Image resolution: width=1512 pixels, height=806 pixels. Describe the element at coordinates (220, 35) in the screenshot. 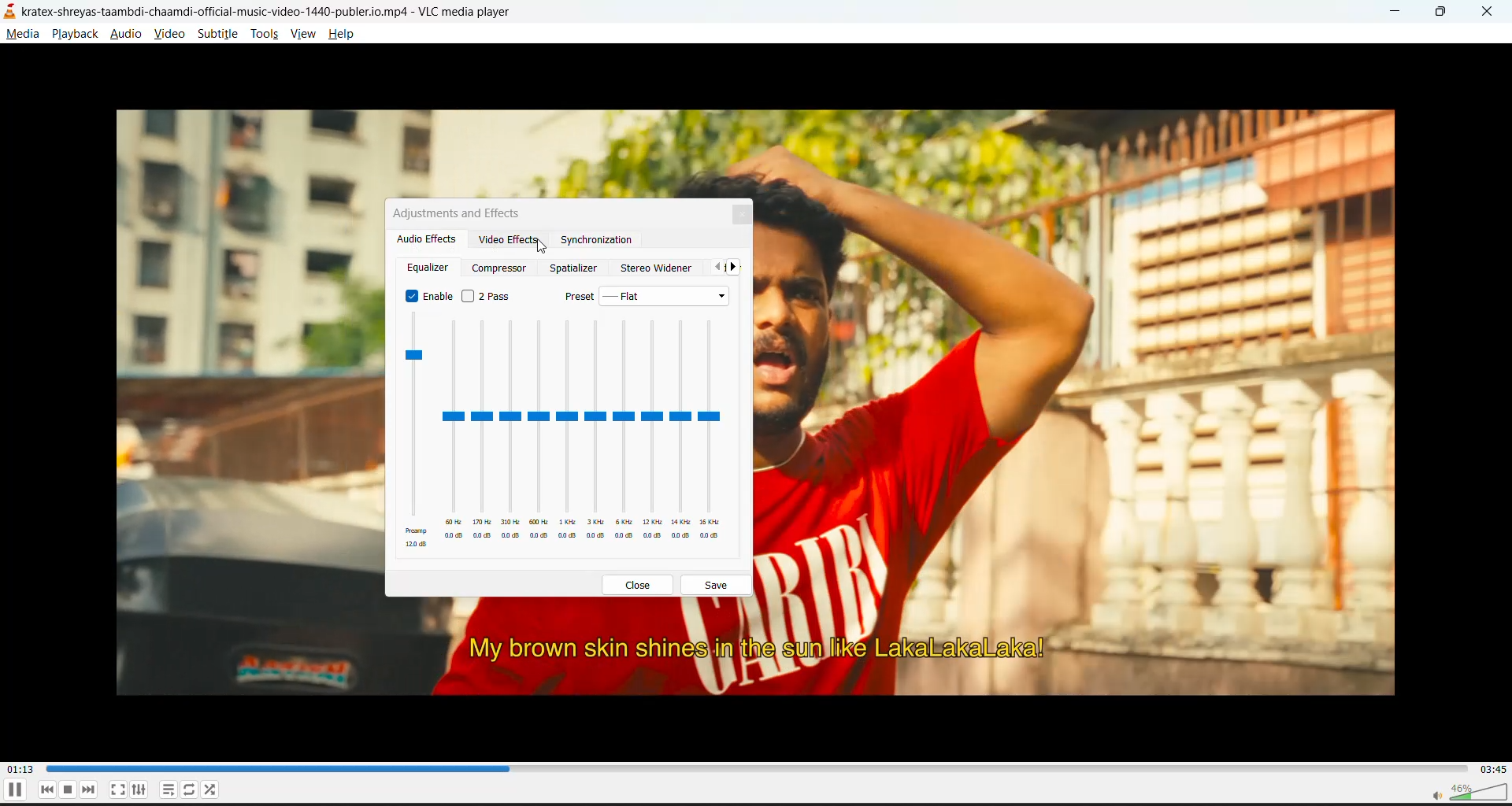

I see `subtitle` at that location.